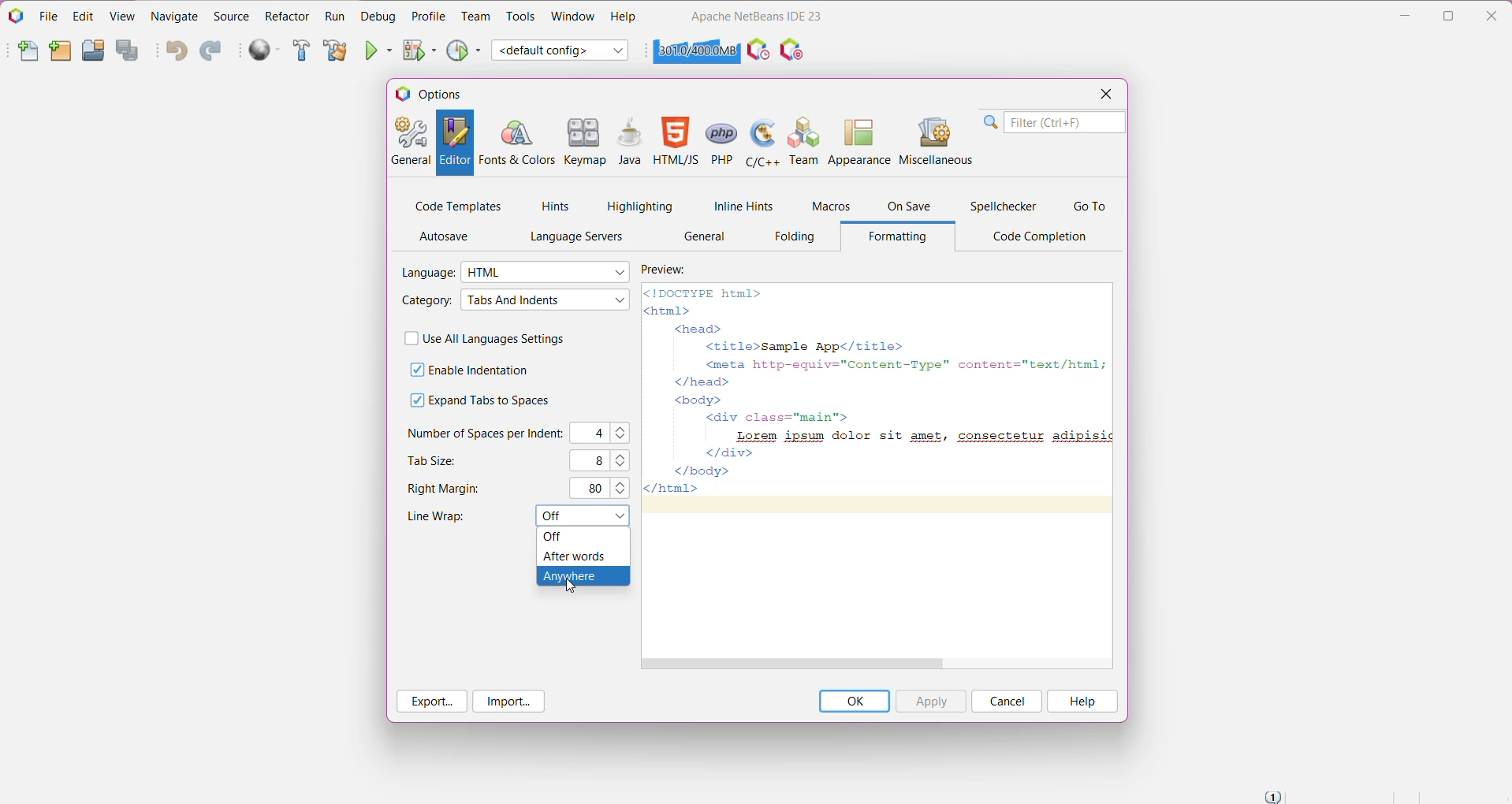  I want to click on Code Templates, so click(458, 205).